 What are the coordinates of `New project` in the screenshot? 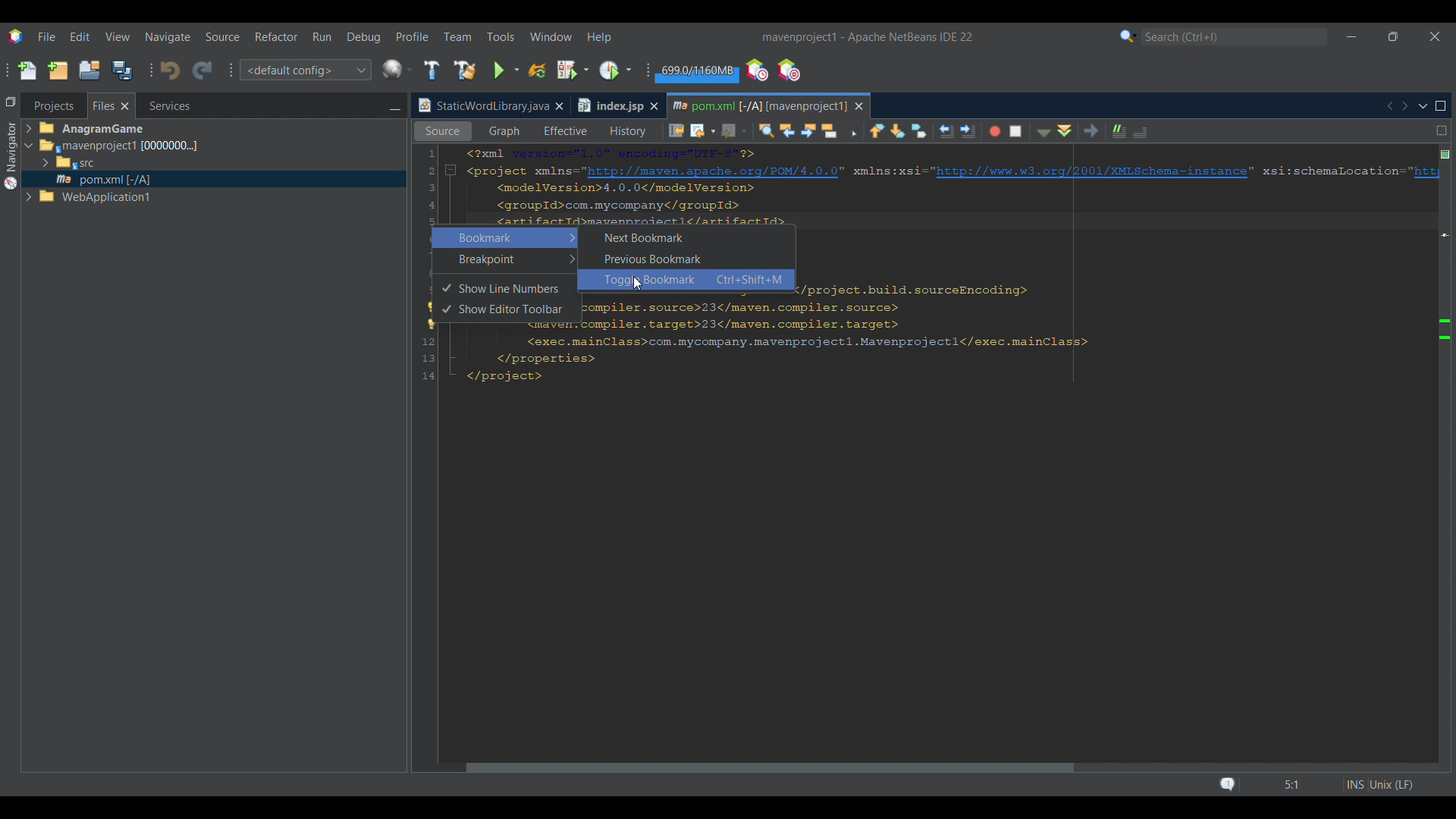 It's located at (58, 70).